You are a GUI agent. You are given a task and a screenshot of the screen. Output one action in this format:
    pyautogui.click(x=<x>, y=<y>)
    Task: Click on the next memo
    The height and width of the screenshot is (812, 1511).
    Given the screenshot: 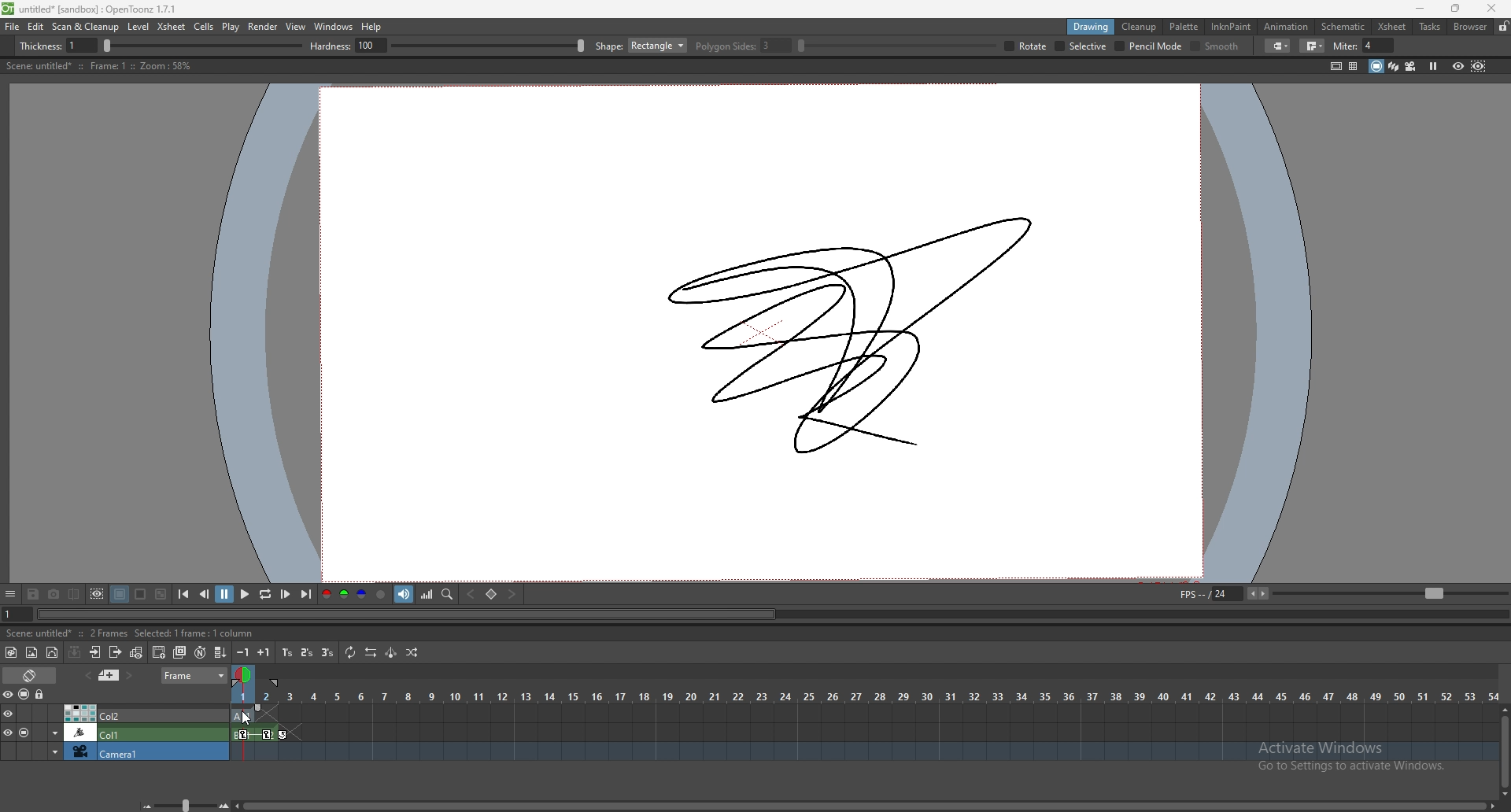 What is the action you would take?
    pyautogui.click(x=131, y=676)
    